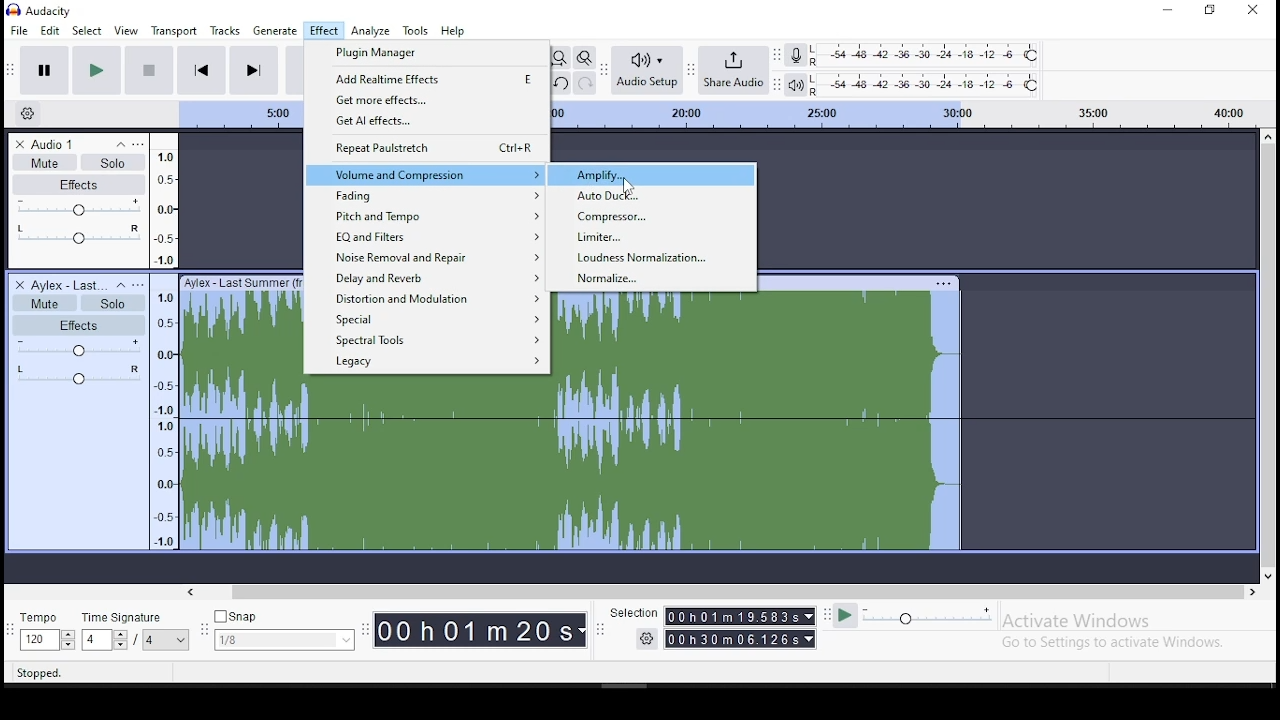  What do you see at coordinates (453, 31) in the screenshot?
I see `help` at bounding box center [453, 31].